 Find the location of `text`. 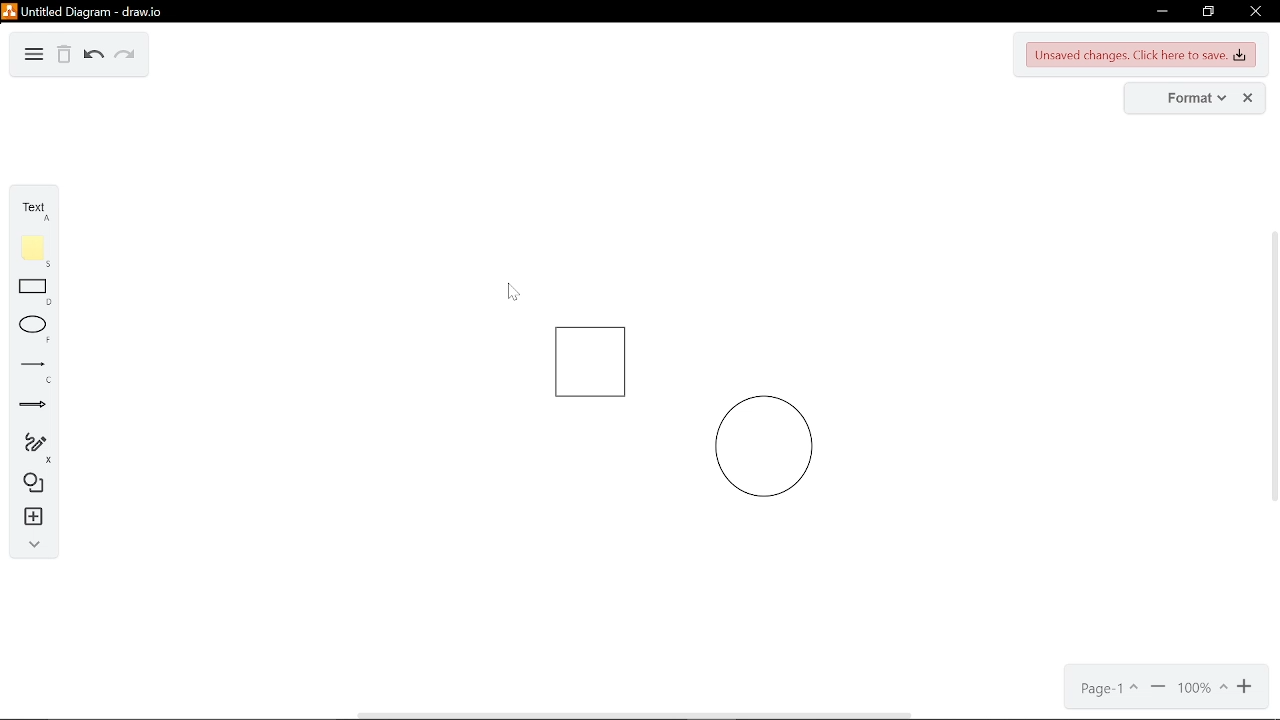

text is located at coordinates (30, 211).